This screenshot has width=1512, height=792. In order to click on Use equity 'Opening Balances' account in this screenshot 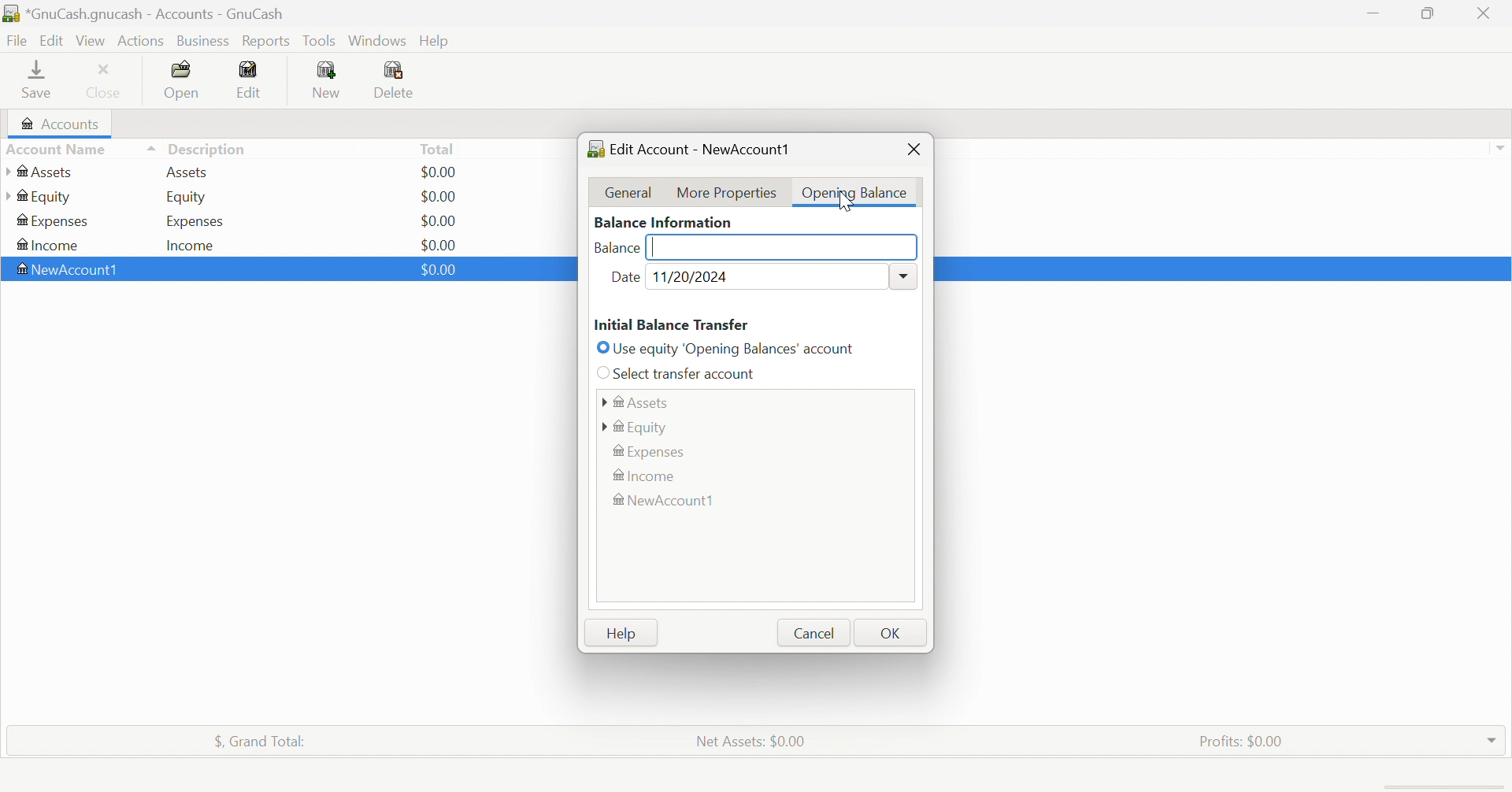, I will do `click(728, 347)`.